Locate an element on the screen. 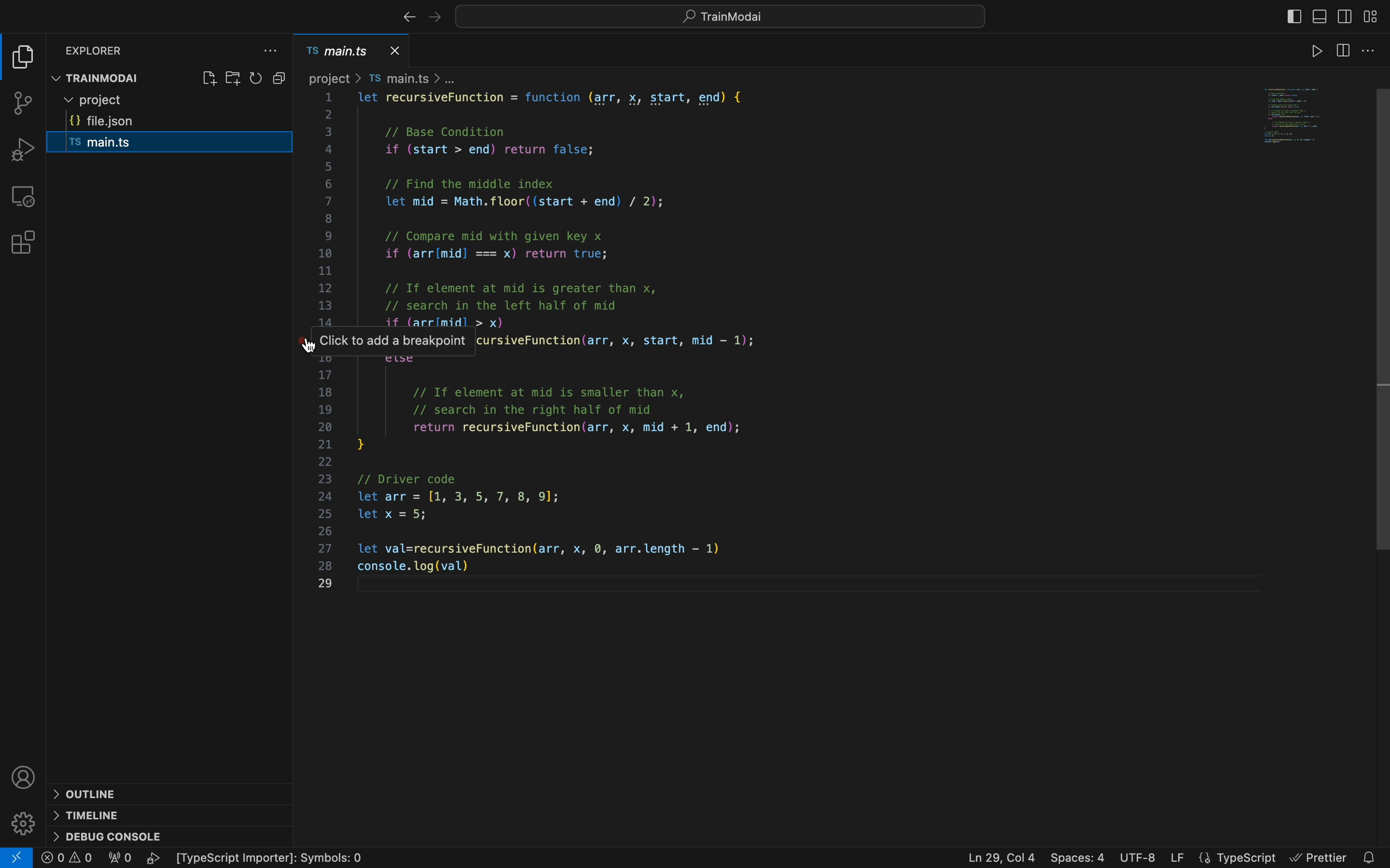 The height and width of the screenshot is (868, 1390). trainmodal is located at coordinates (116, 79).